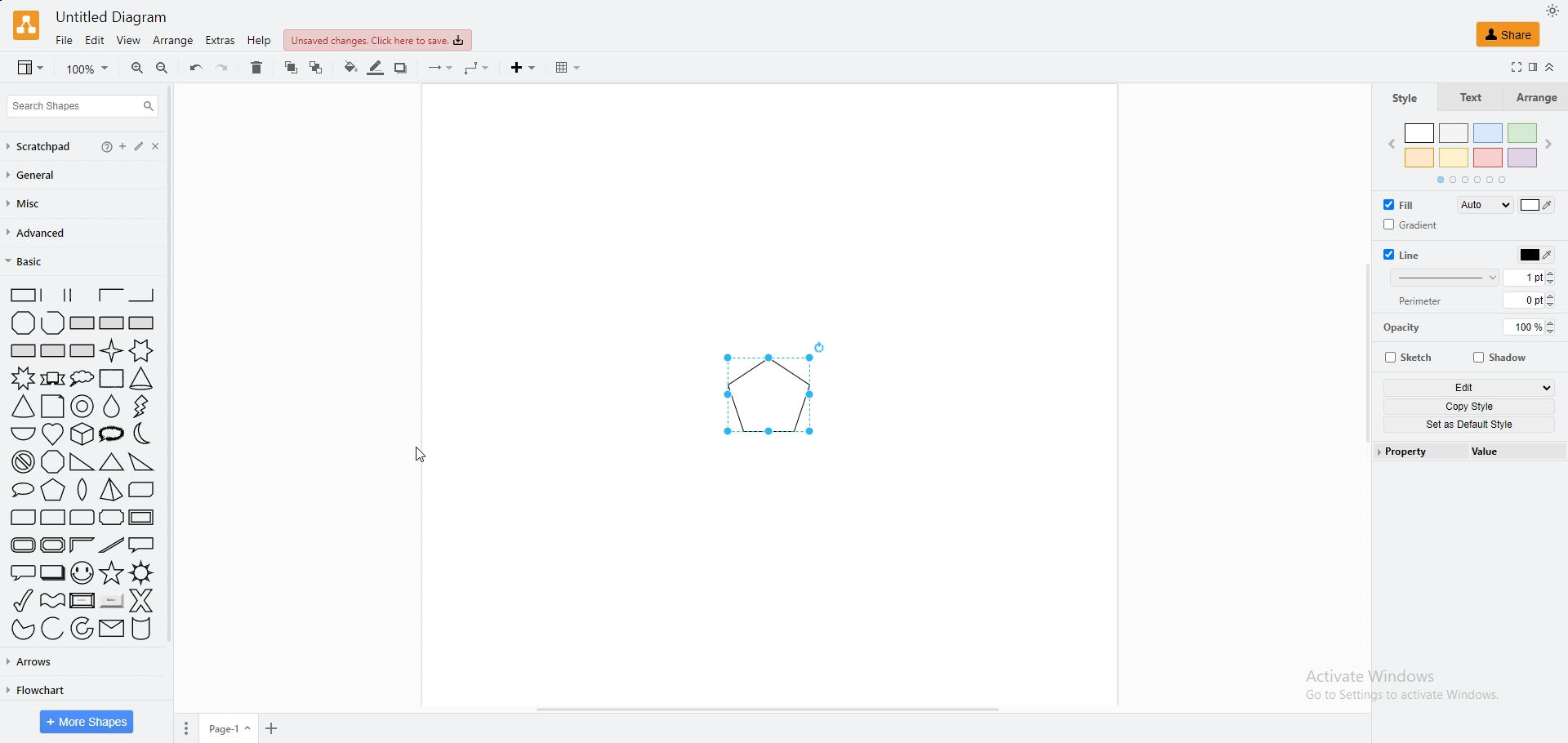  Describe the element at coordinates (142, 379) in the screenshot. I see `cone` at that location.